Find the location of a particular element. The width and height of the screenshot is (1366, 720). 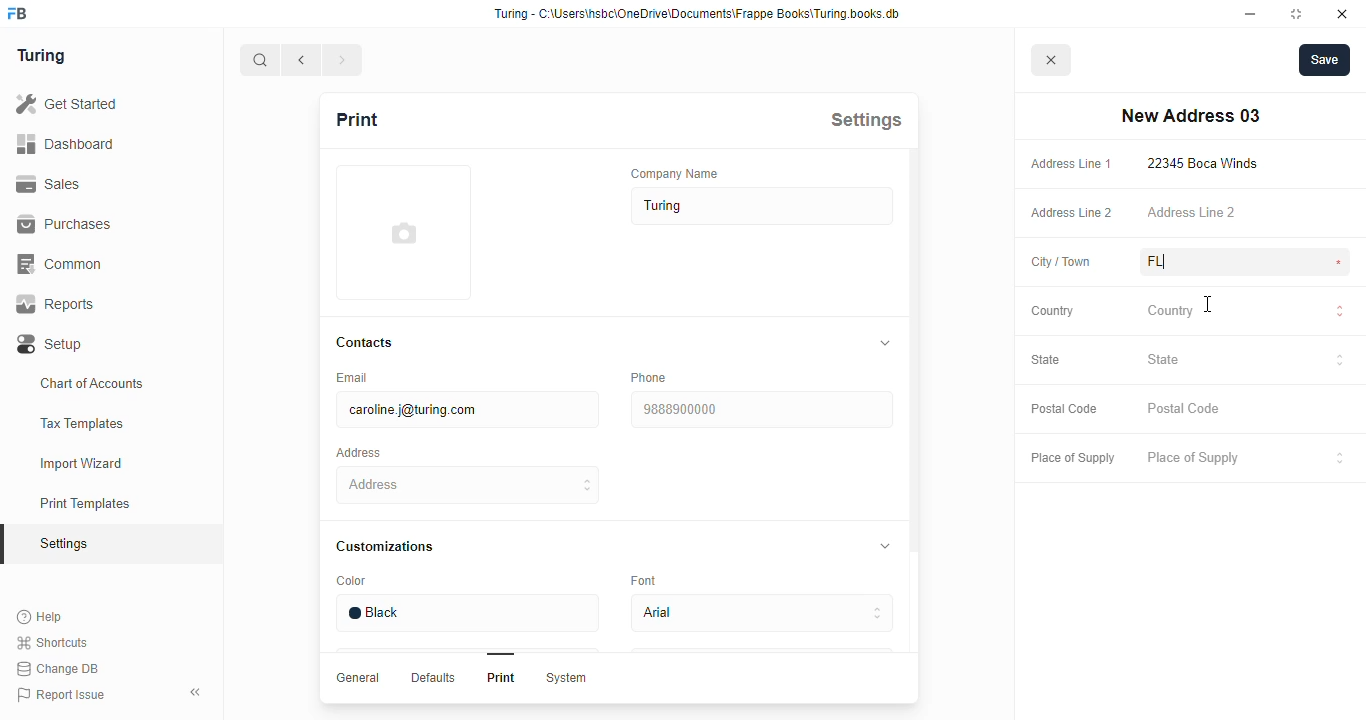

state is located at coordinates (1246, 362).